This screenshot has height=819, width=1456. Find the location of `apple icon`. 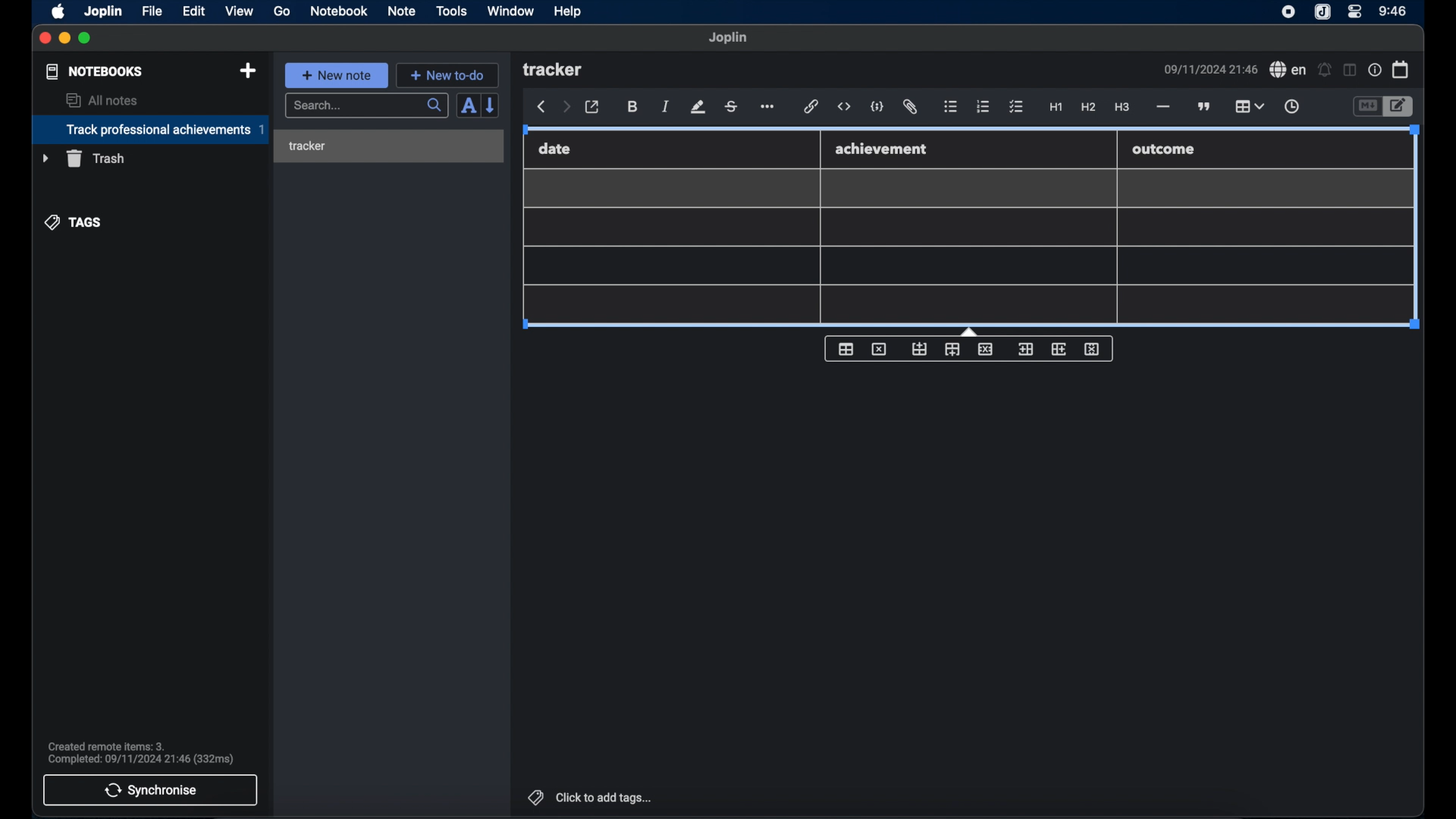

apple icon is located at coordinates (59, 11).